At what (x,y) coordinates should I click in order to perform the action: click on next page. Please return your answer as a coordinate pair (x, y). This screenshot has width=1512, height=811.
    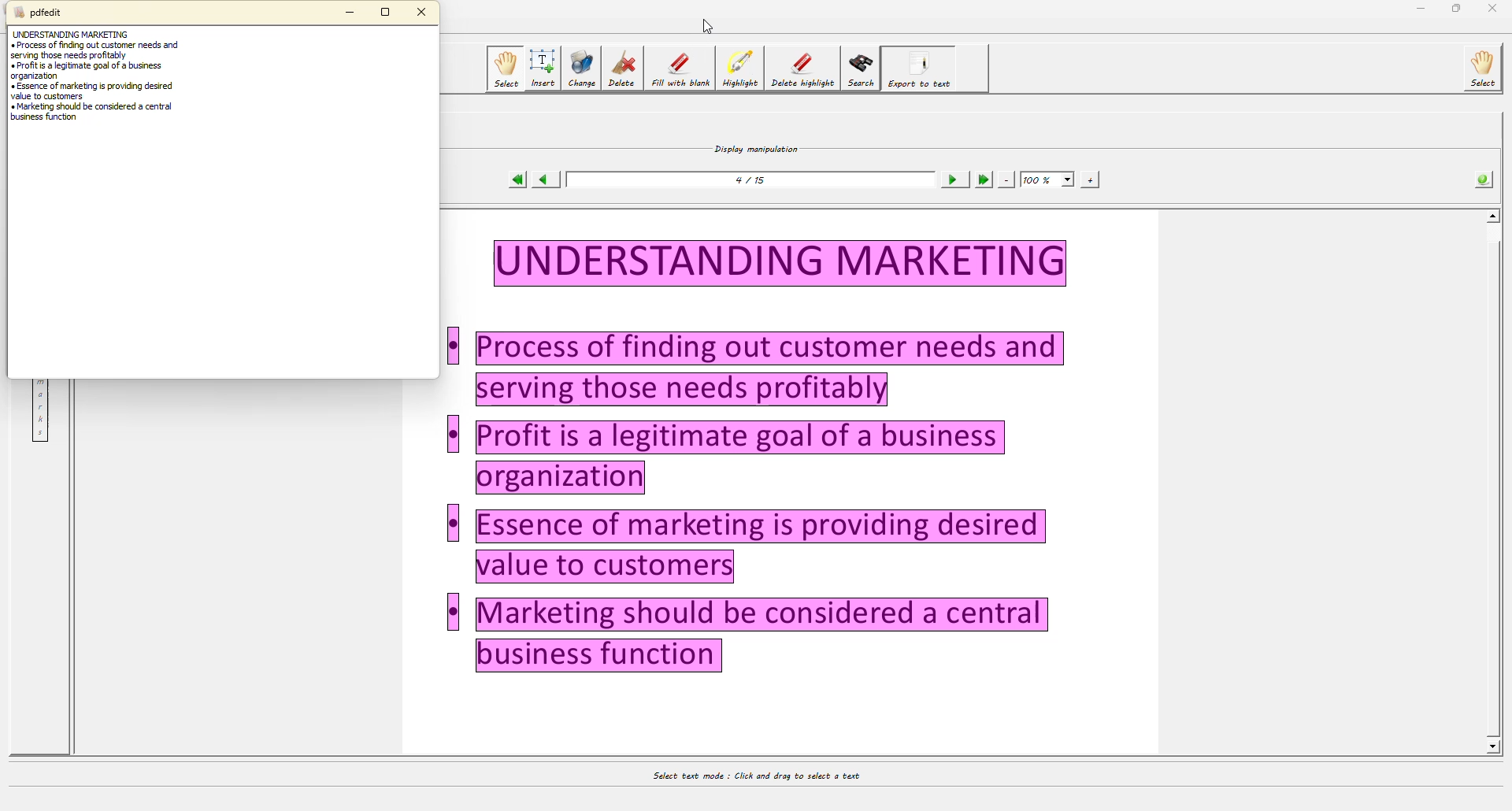
    Looking at the image, I should click on (951, 180).